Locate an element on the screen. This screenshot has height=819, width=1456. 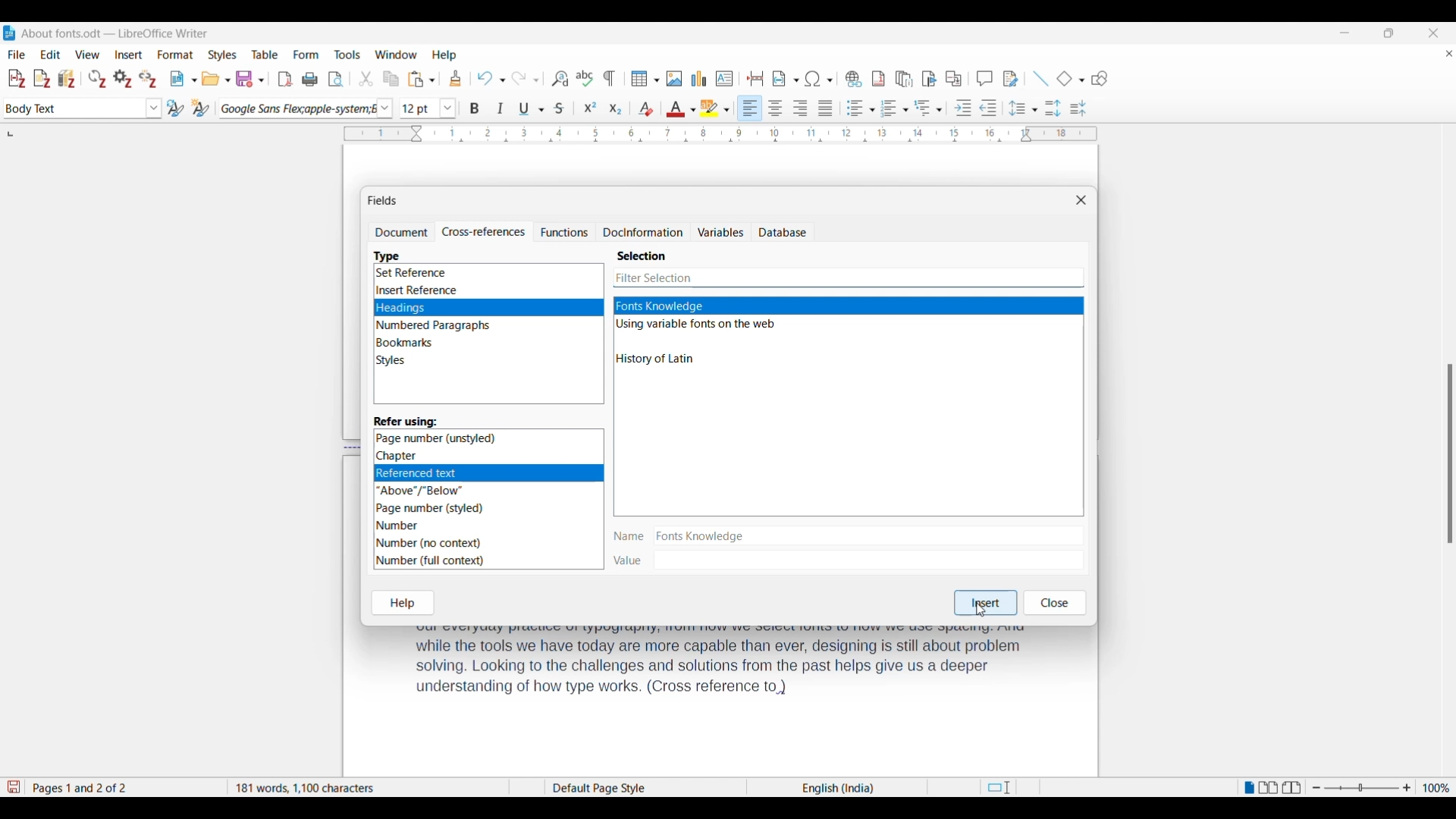
Font options  is located at coordinates (384, 109).